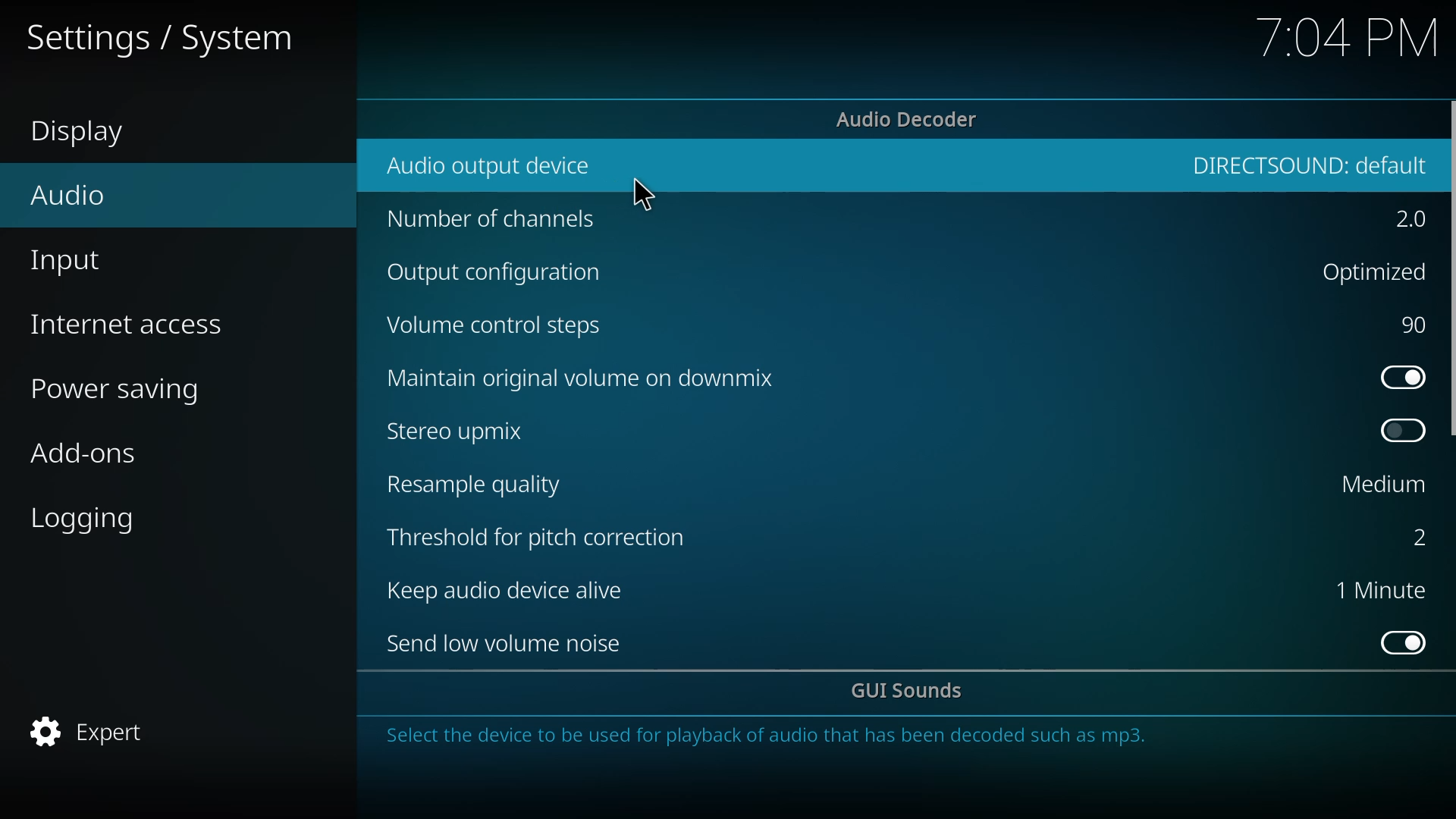 The width and height of the screenshot is (1456, 819). Describe the element at coordinates (494, 165) in the screenshot. I see `audio output device` at that location.